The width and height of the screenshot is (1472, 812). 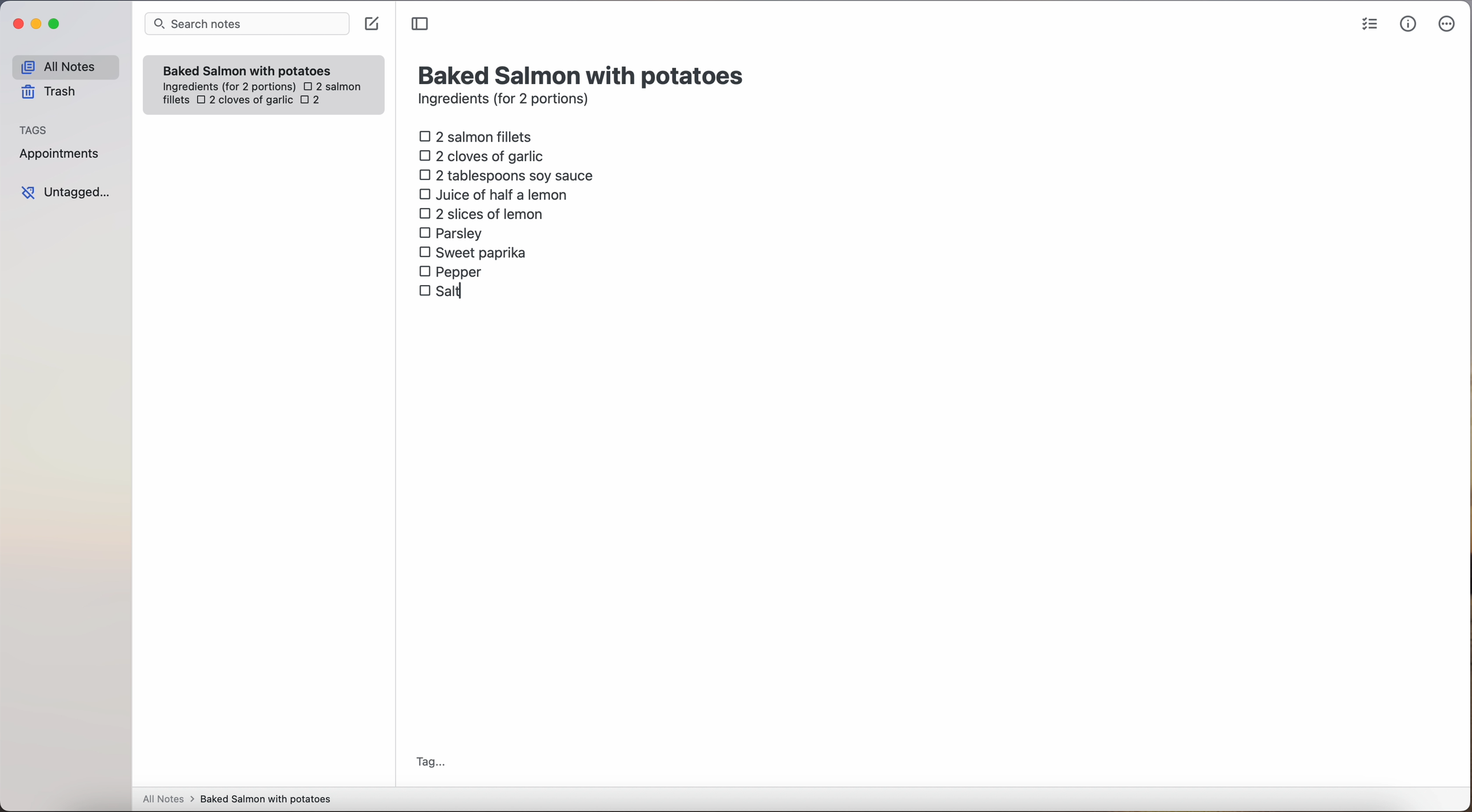 What do you see at coordinates (1449, 25) in the screenshot?
I see `more options` at bounding box center [1449, 25].